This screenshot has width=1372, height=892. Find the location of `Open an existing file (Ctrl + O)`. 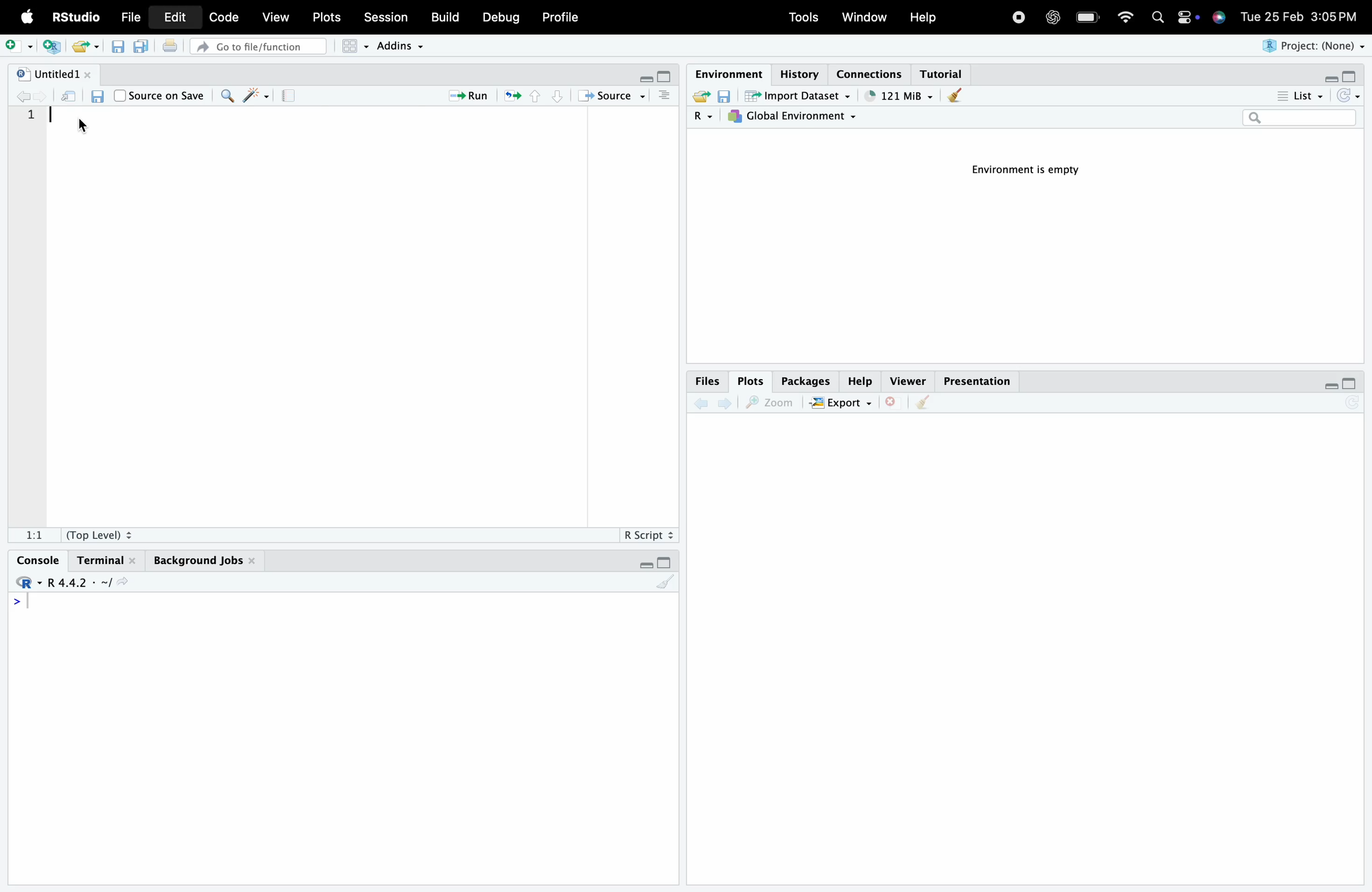

Open an existing file (Ctrl + O) is located at coordinates (84, 47).